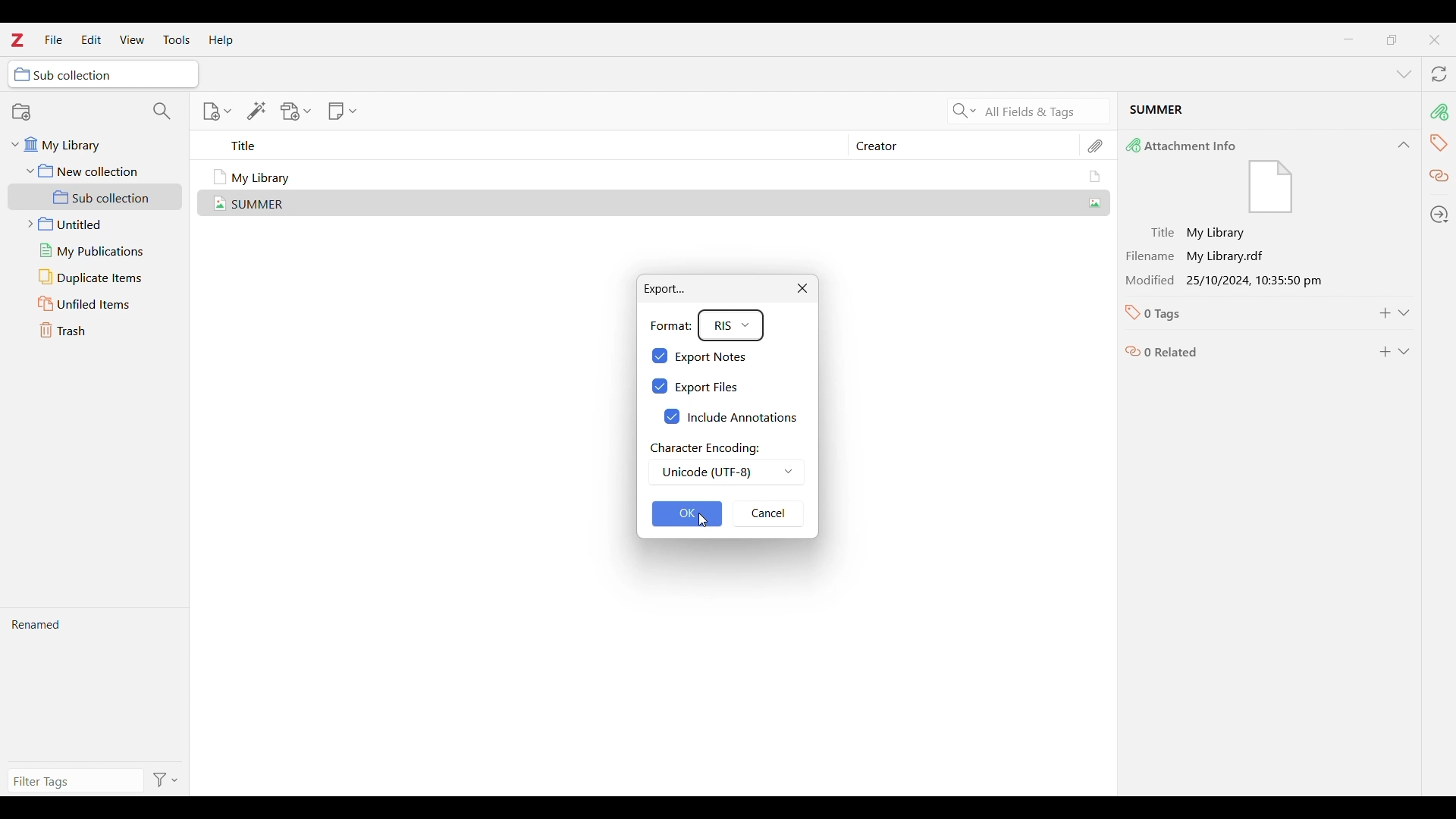  Describe the element at coordinates (104, 74) in the screenshot. I see `sub selection` at that location.